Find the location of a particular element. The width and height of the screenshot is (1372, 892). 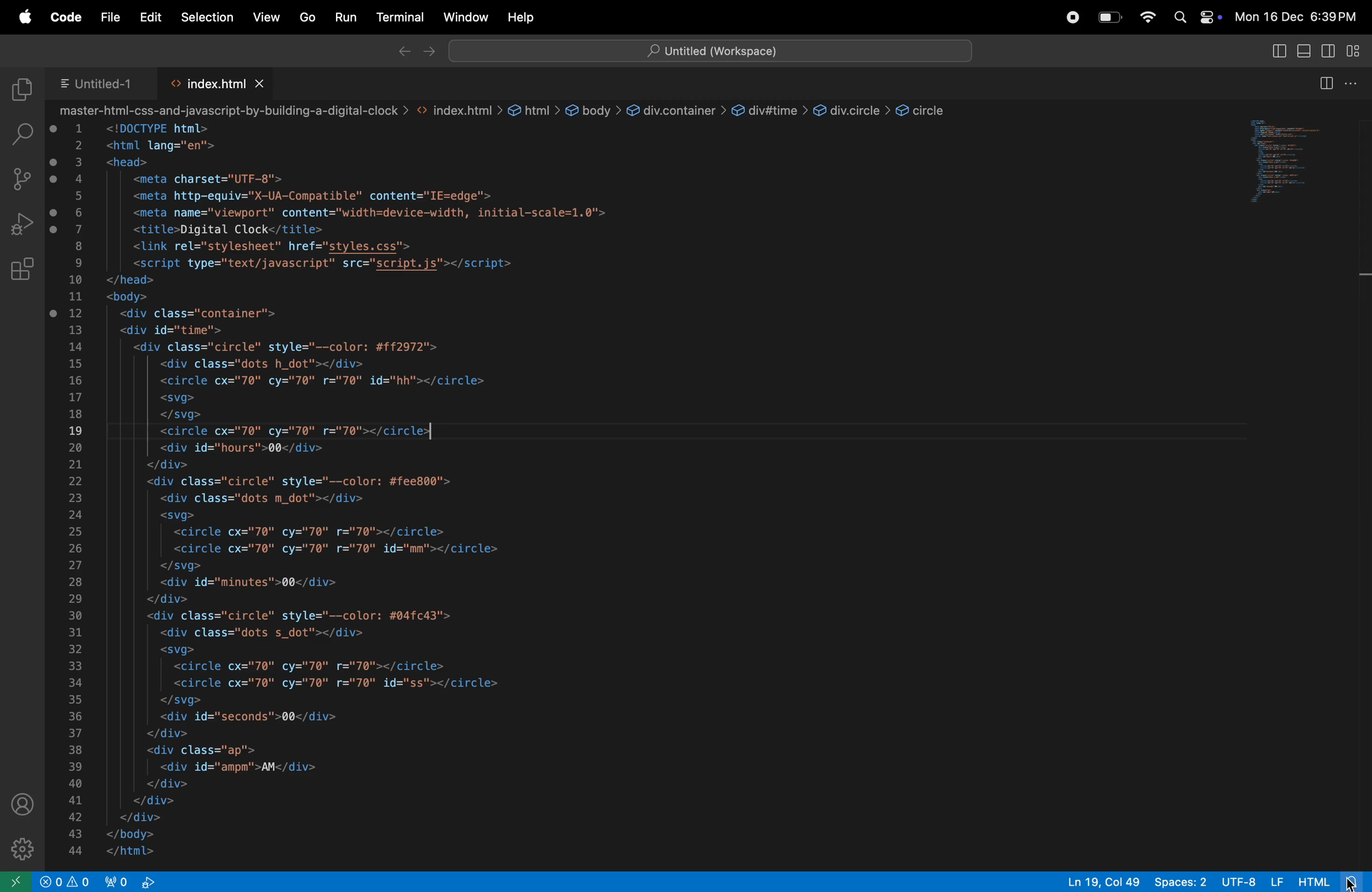

split screen is located at coordinates (1329, 86).